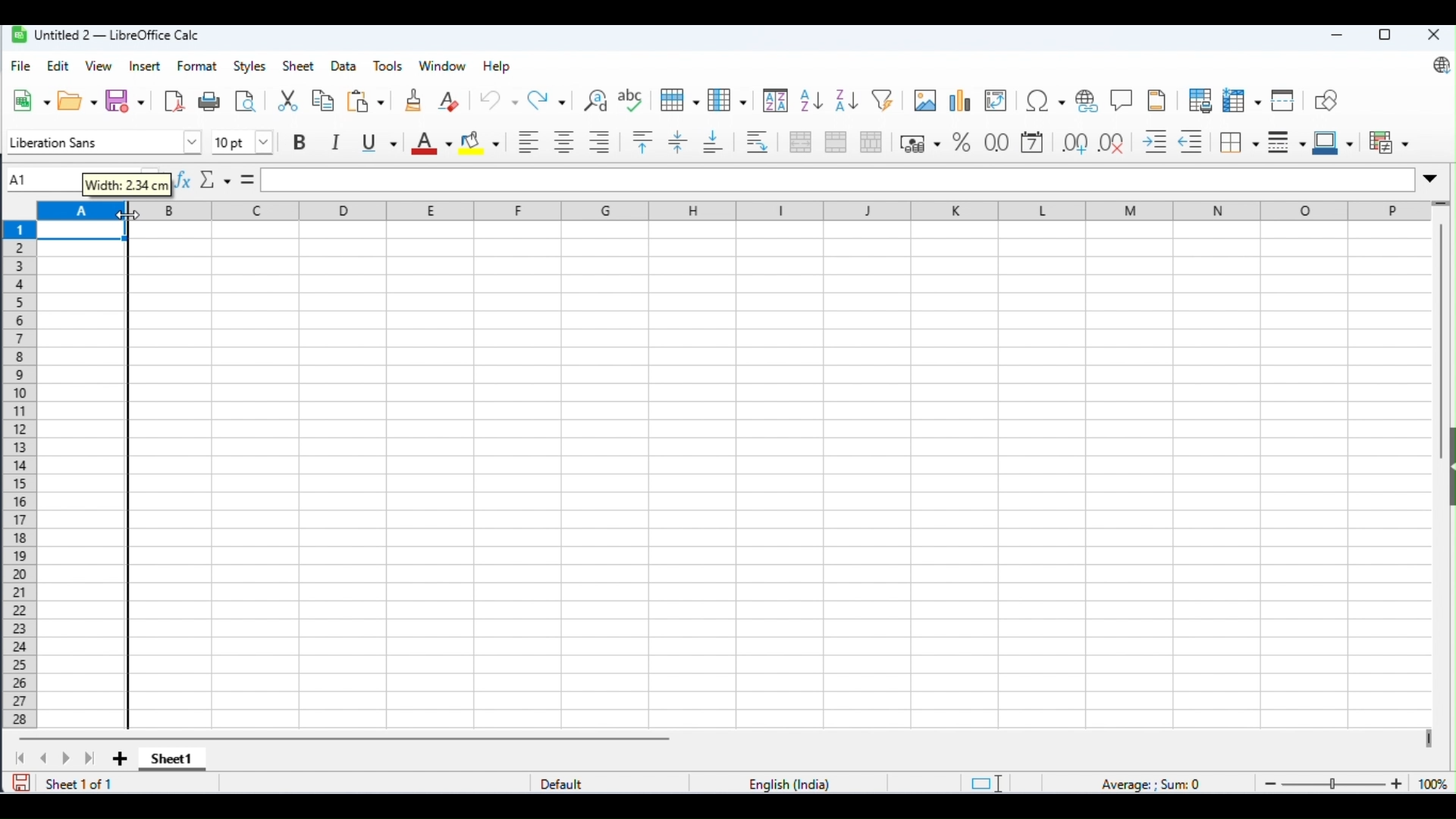 The height and width of the screenshot is (819, 1456). What do you see at coordinates (1241, 142) in the screenshot?
I see `border` at bounding box center [1241, 142].